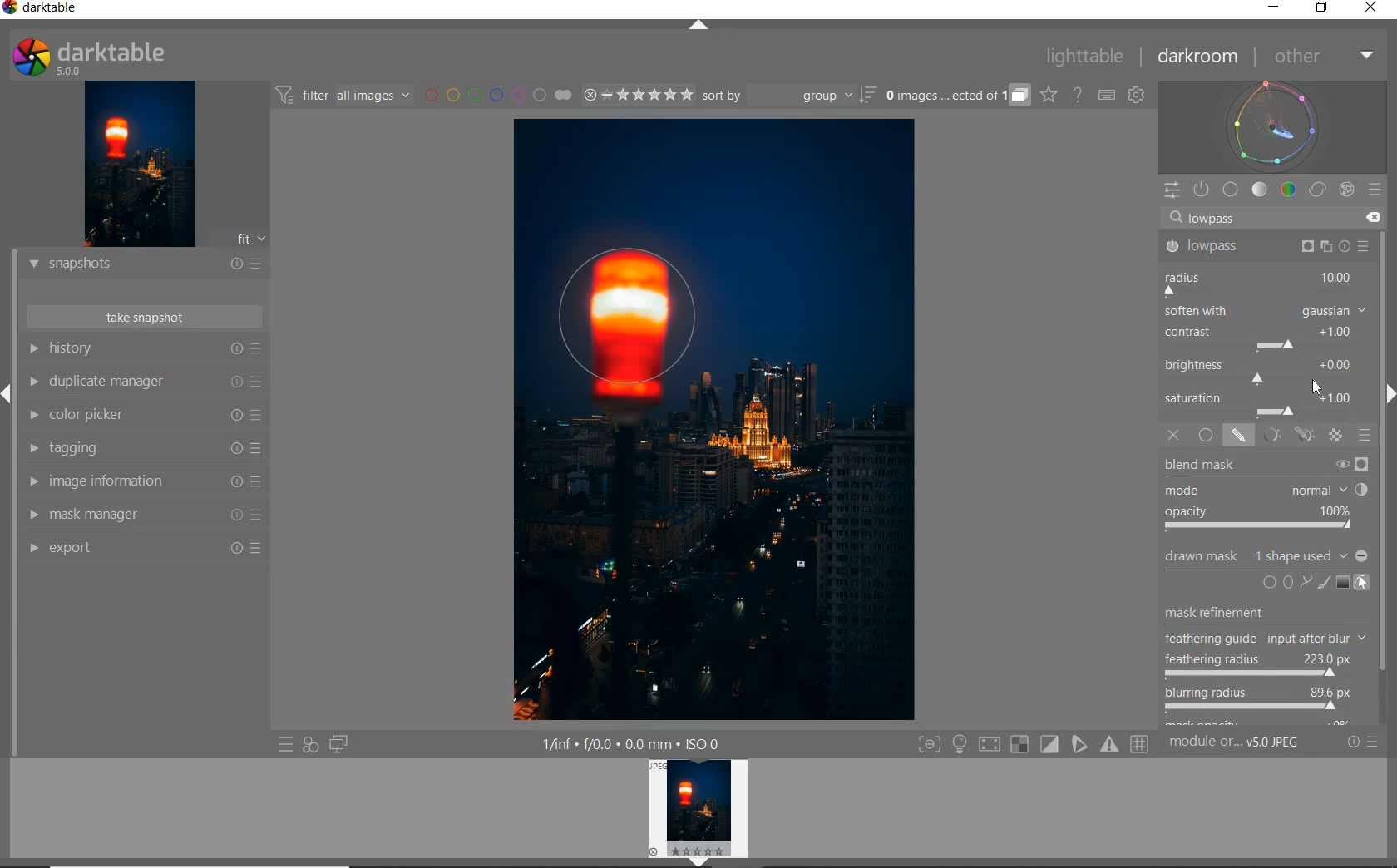 This screenshot has width=1397, height=868. Describe the element at coordinates (1275, 126) in the screenshot. I see `WAVEFORM` at that location.